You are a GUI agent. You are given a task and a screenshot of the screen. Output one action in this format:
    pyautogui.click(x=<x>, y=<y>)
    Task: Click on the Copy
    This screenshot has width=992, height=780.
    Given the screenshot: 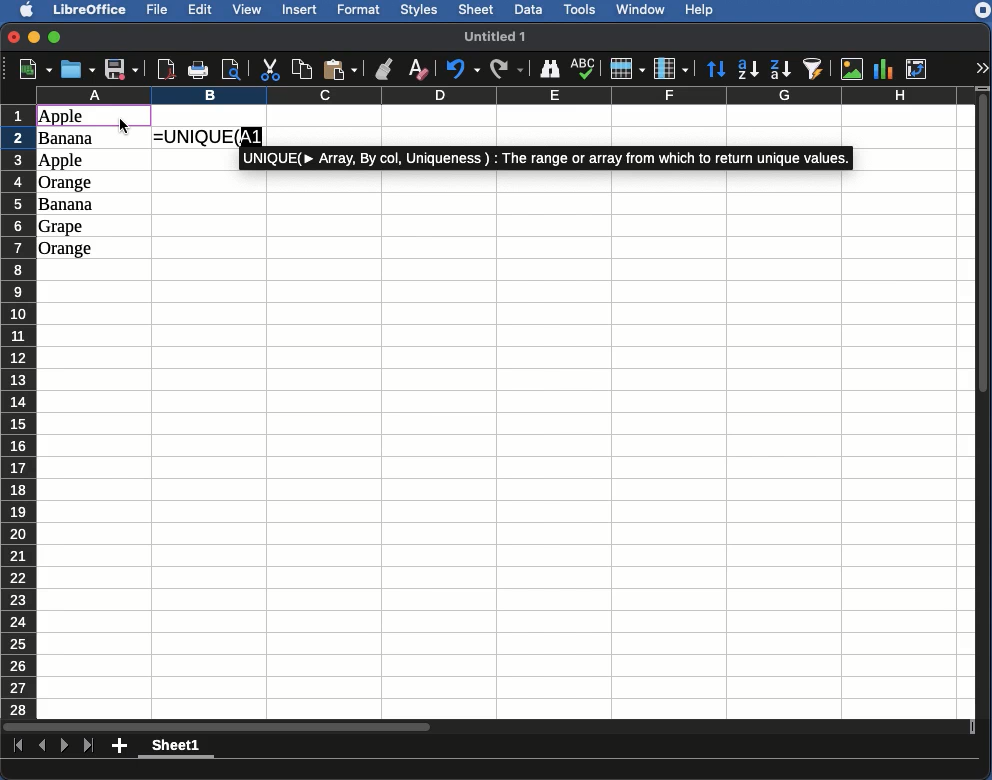 What is the action you would take?
    pyautogui.click(x=302, y=69)
    